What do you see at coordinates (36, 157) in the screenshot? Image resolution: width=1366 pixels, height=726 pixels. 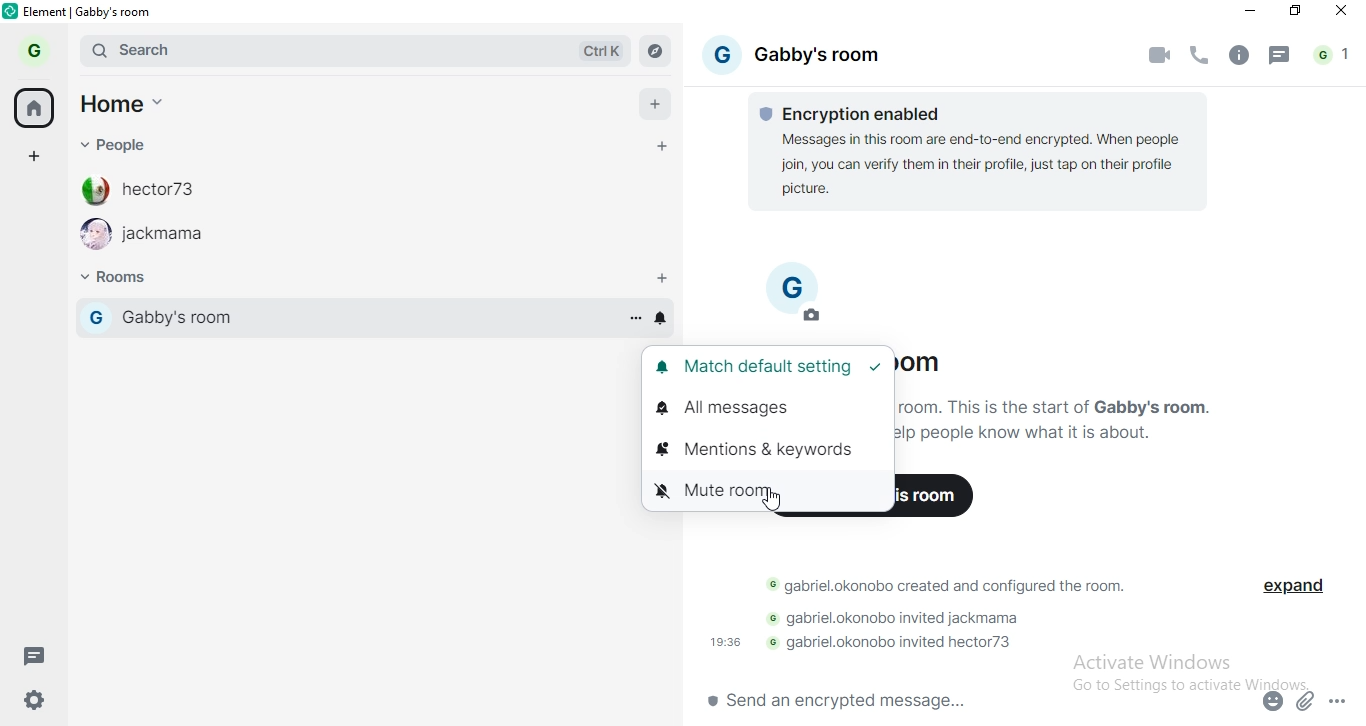 I see `add space` at bounding box center [36, 157].